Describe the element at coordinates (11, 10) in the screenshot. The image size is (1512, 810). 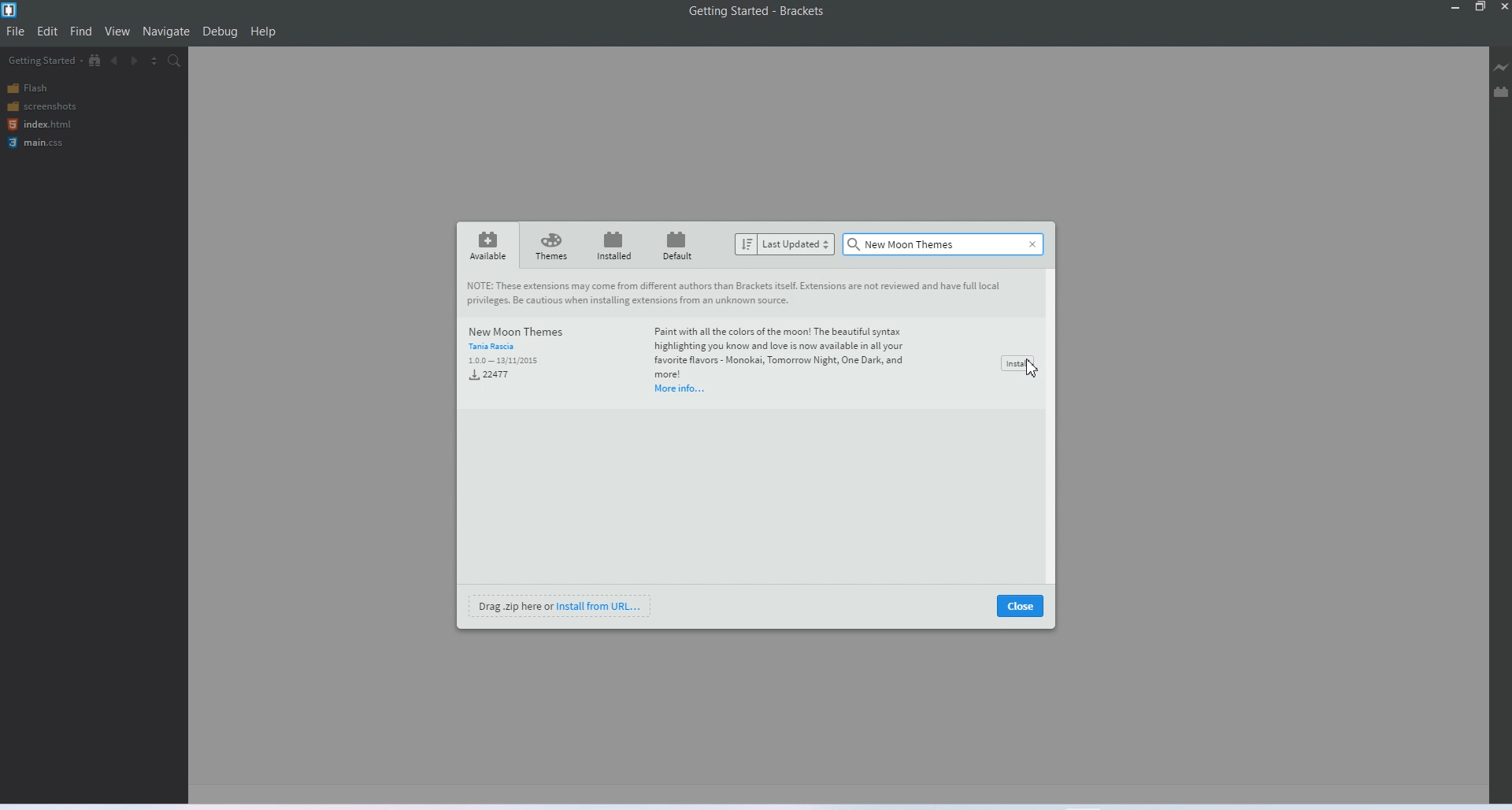
I see `Logo` at that location.